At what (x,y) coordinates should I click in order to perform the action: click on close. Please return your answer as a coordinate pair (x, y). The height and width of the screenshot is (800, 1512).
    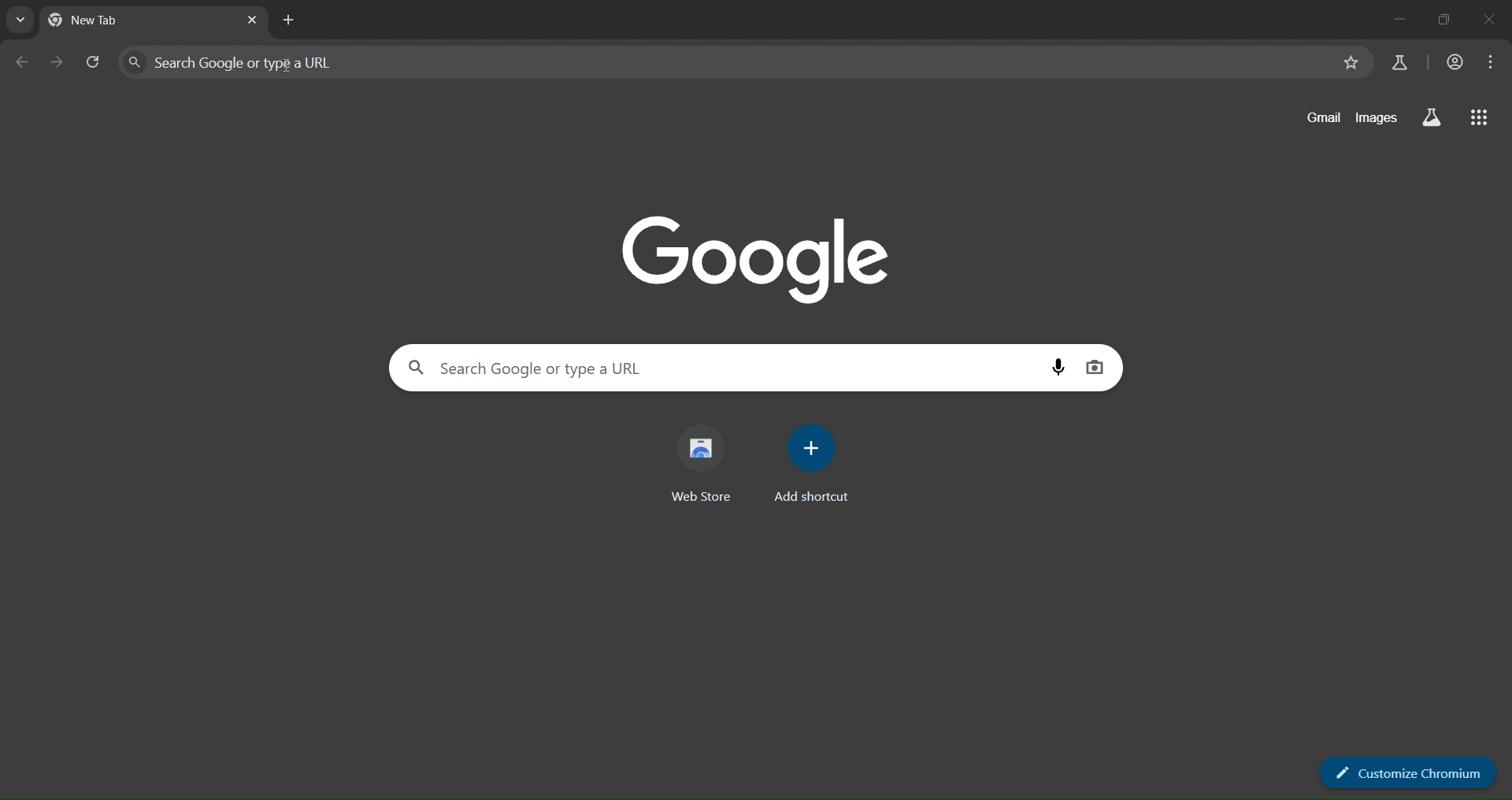
    Looking at the image, I should click on (1494, 22).